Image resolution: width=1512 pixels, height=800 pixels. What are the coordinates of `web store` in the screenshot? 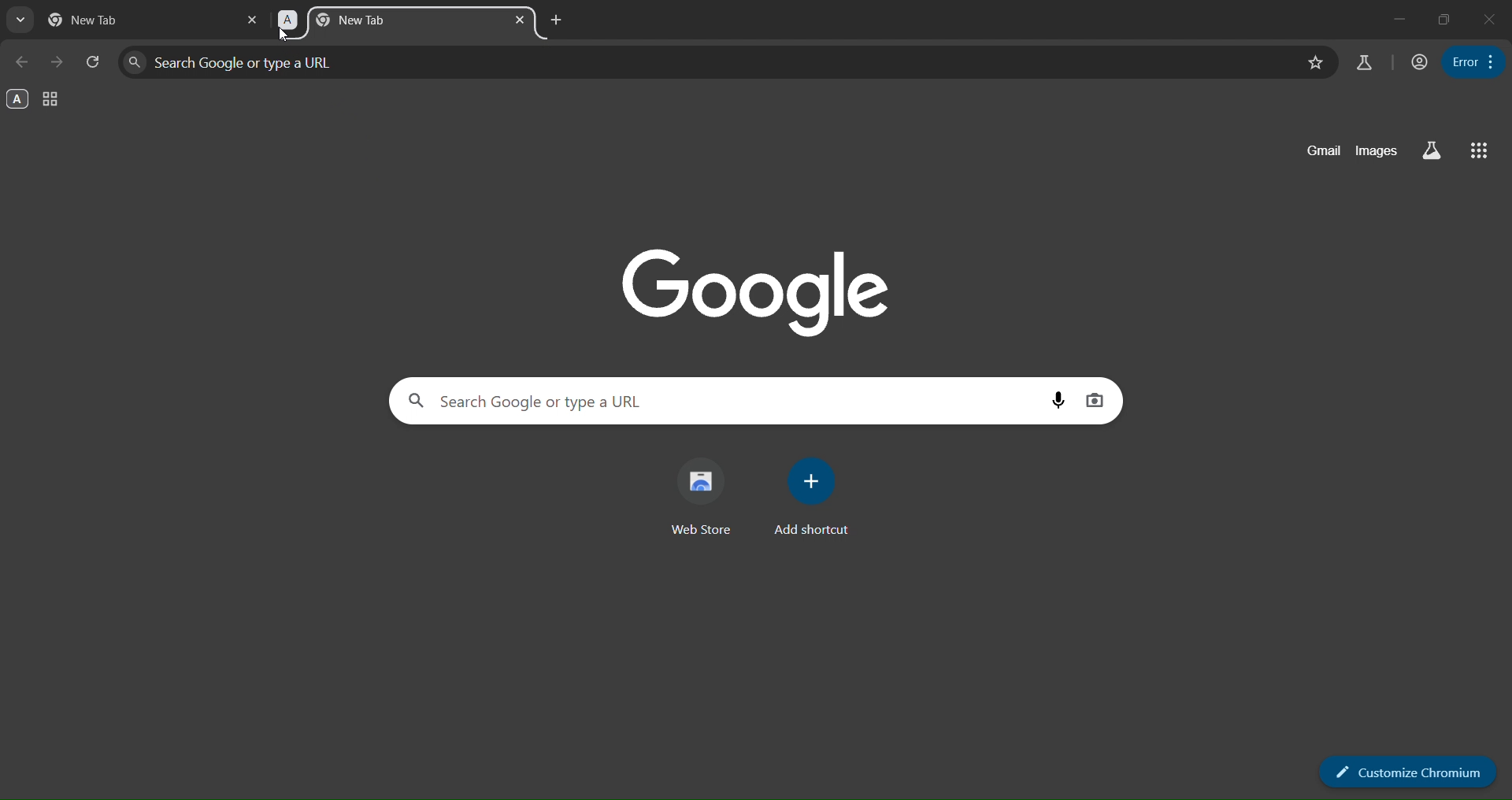 It's located at (707, 498).